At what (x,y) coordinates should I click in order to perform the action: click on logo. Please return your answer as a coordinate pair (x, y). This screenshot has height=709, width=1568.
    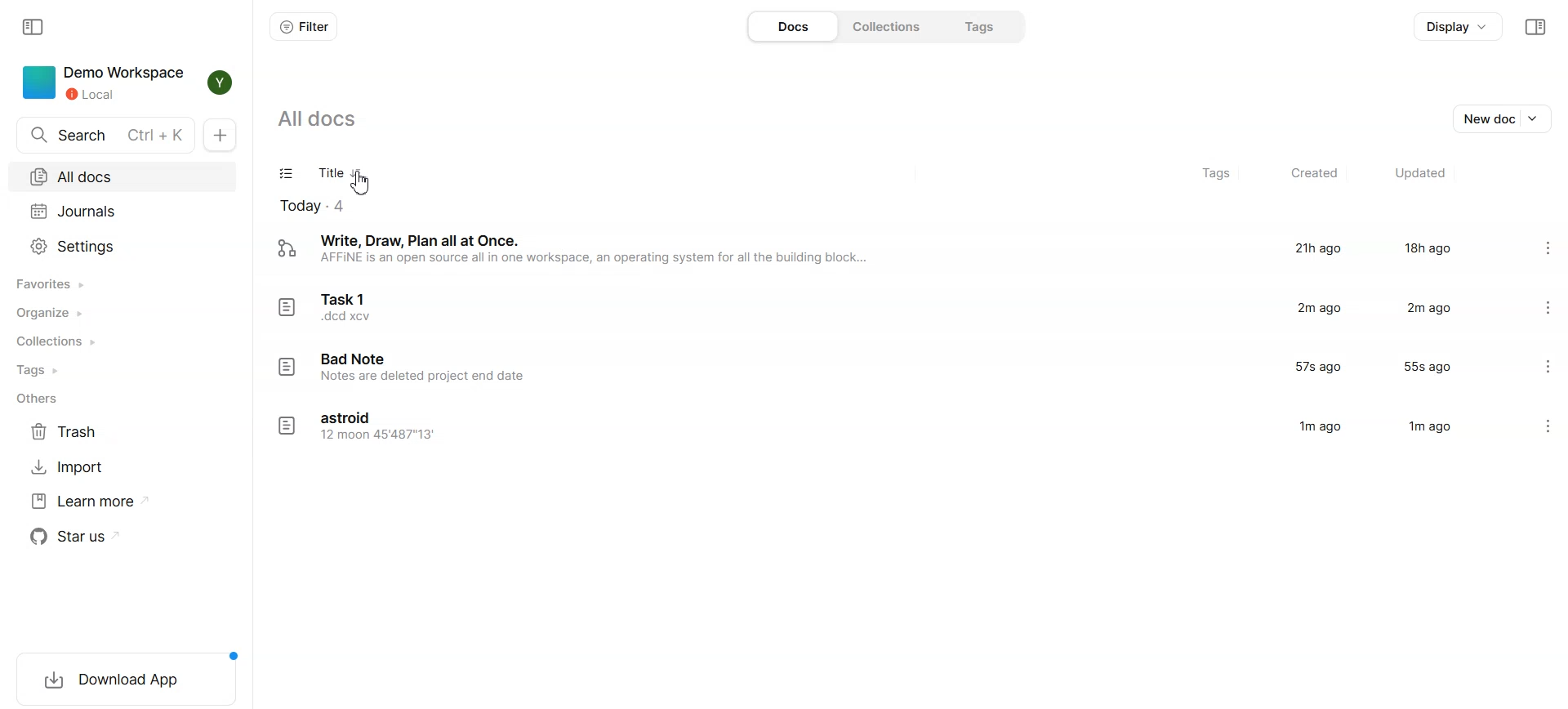
    Looking at the image, I should click on (287, 308).